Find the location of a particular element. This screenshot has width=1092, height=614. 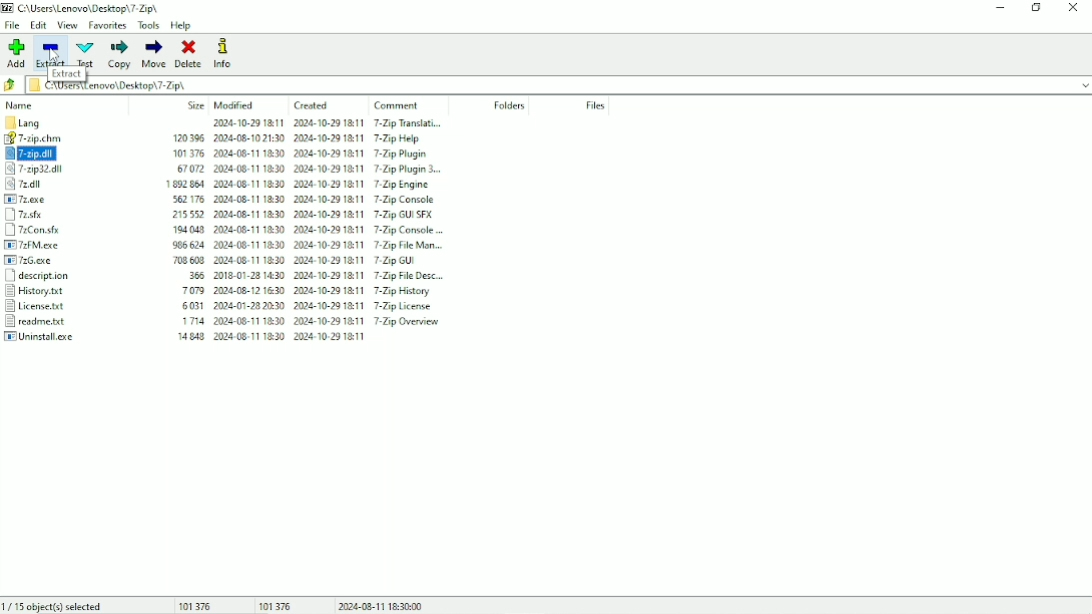

7-zip.dll is located at coordinates (62, 154).